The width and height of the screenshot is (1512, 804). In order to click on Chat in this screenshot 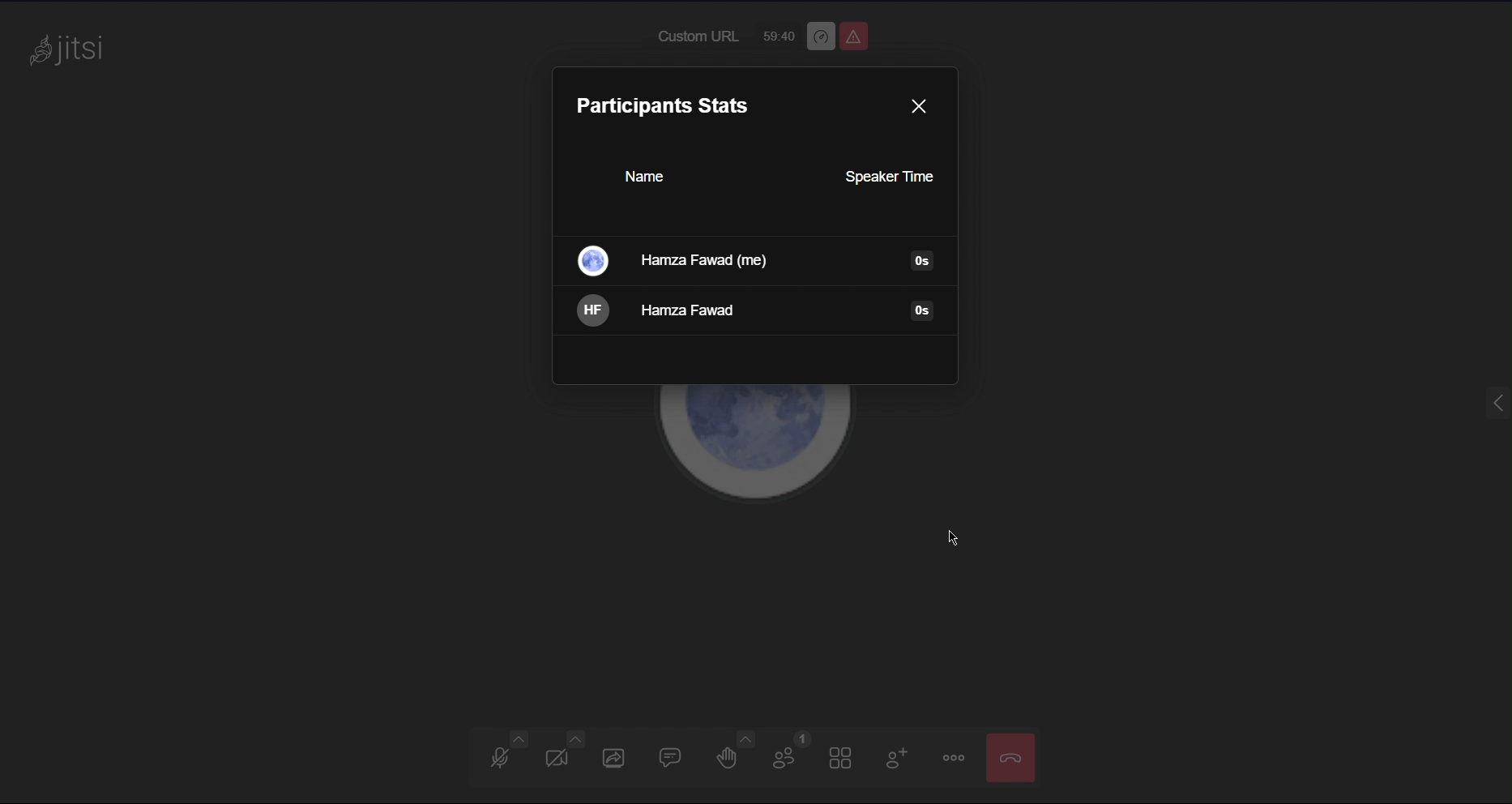, I will do `click(676, 758)`.